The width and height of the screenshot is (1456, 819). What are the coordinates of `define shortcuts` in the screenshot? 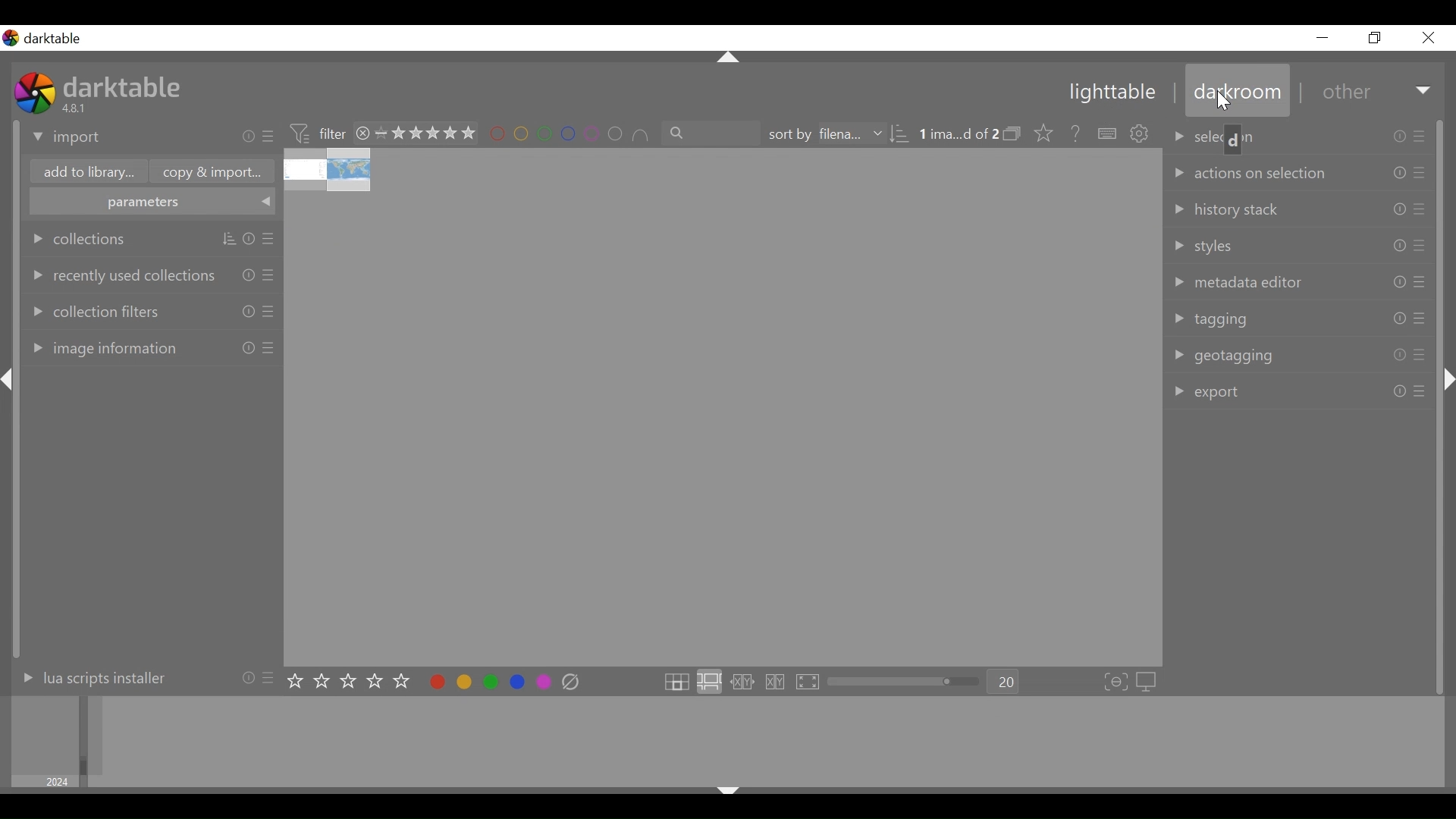 It's located at (1108, 134).